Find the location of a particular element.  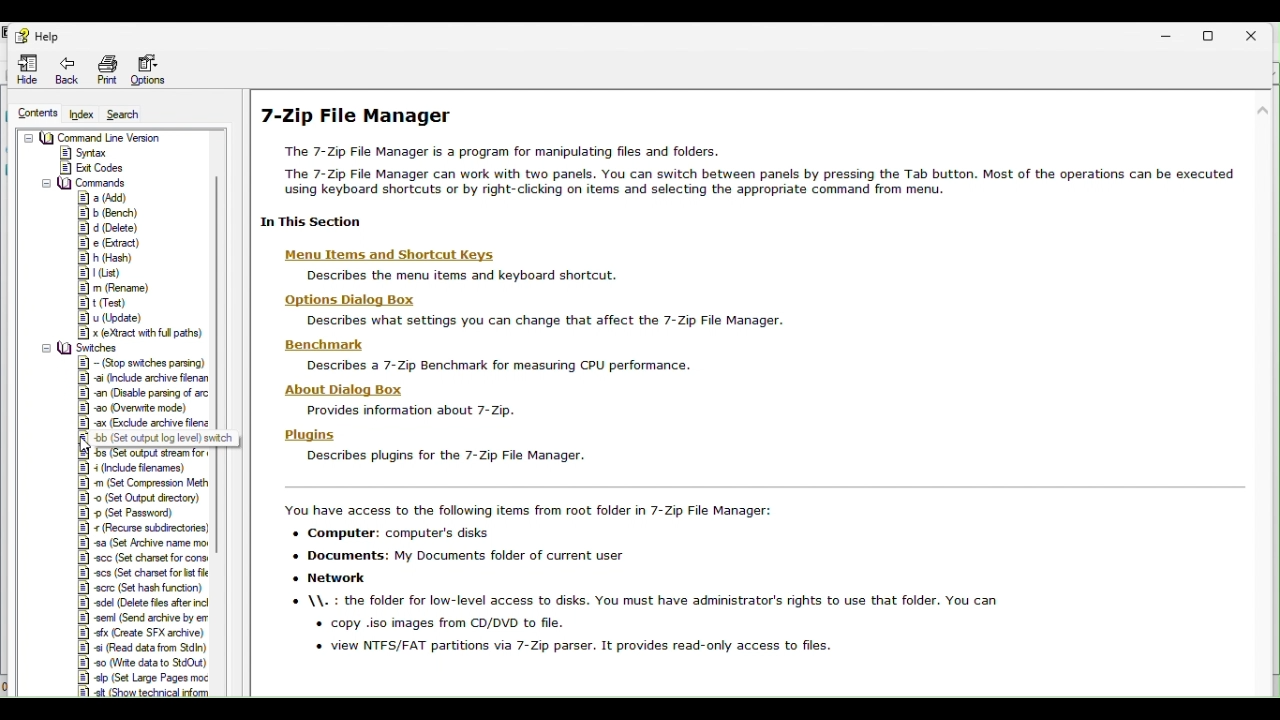

Options is located at coordinates (159, 70).